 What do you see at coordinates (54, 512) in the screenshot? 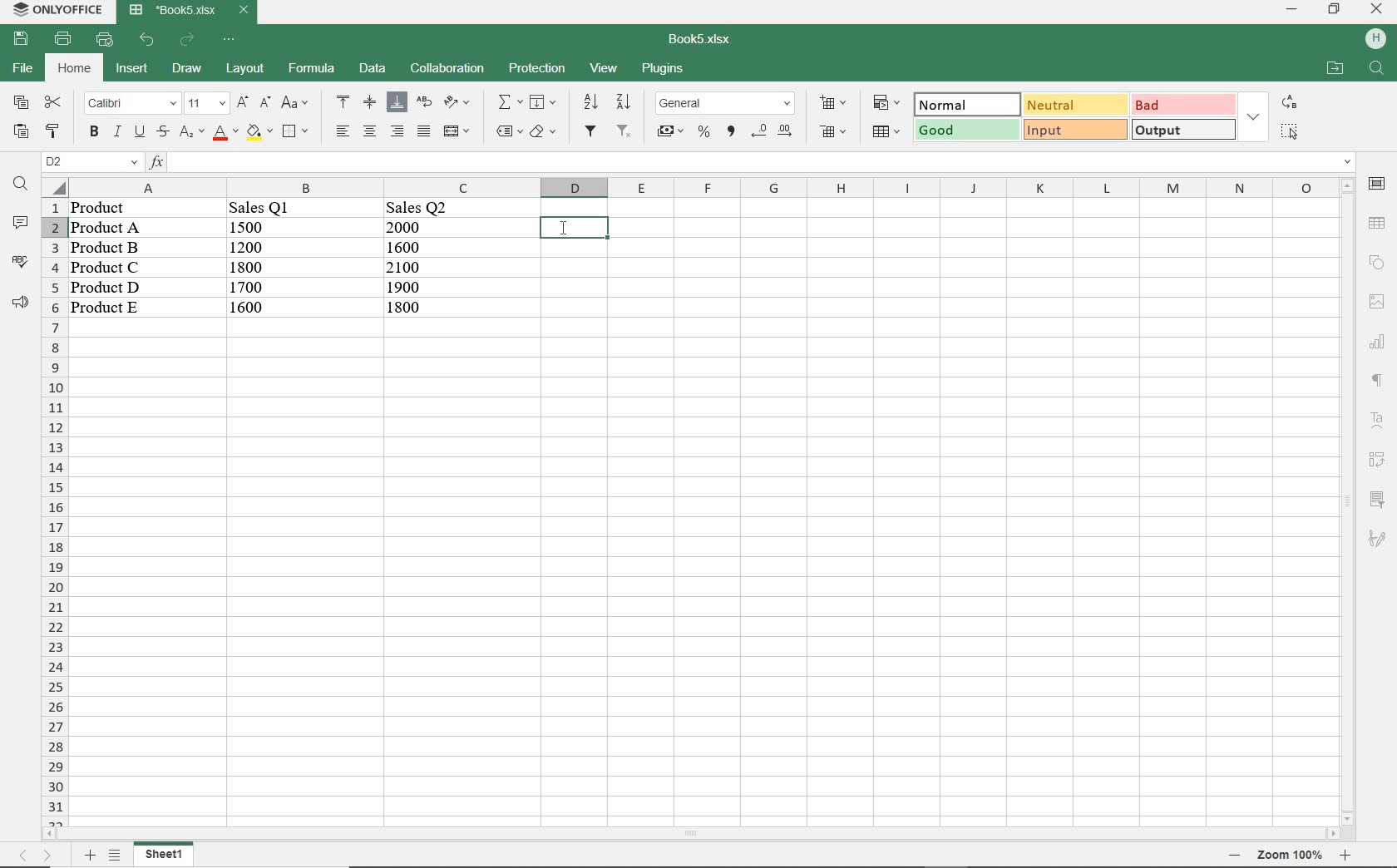
I see `rows` at bounding box center [54, 512].